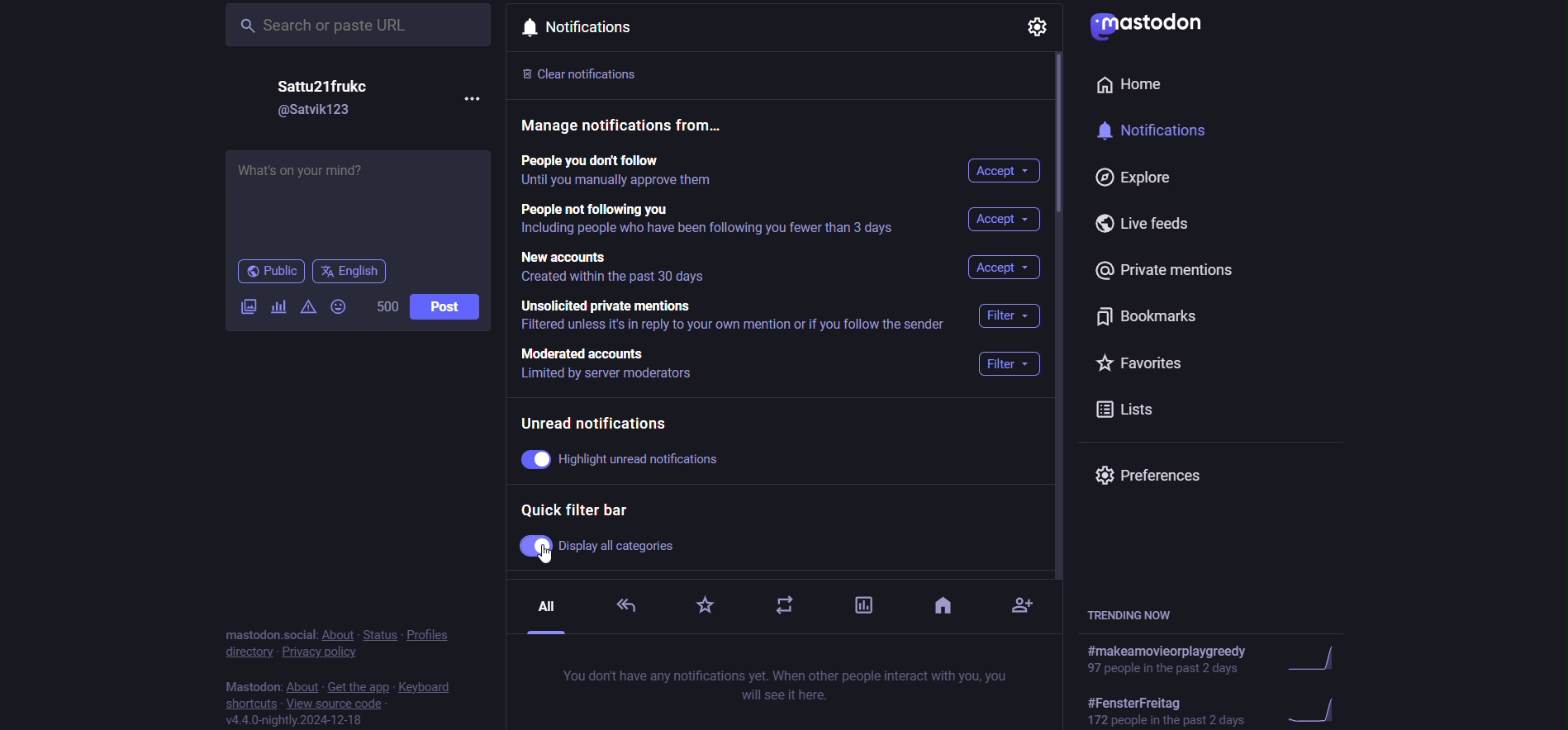  Describe the element at coordinates (620, 270) in the screenshot. I see `New accounts Created within the past 30 days` at that location.